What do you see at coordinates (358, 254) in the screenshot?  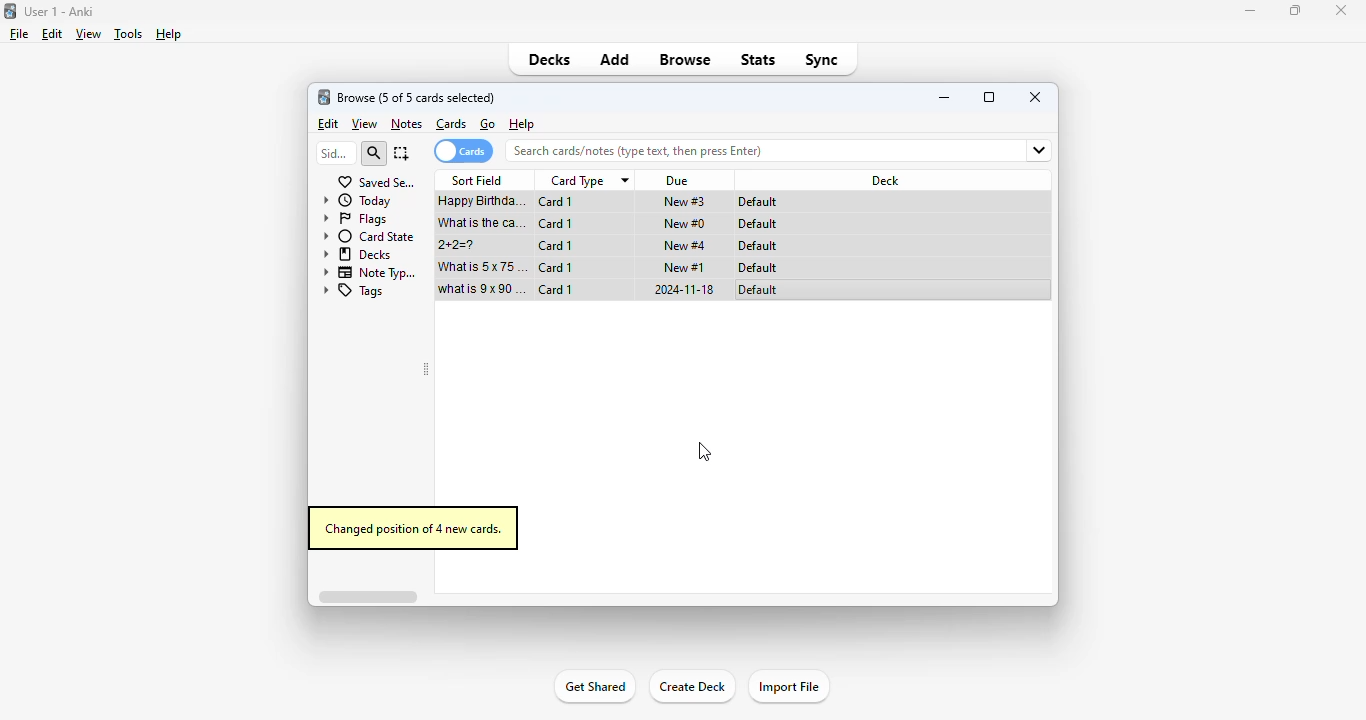 I see `decks` at bounding box center [358, 254].